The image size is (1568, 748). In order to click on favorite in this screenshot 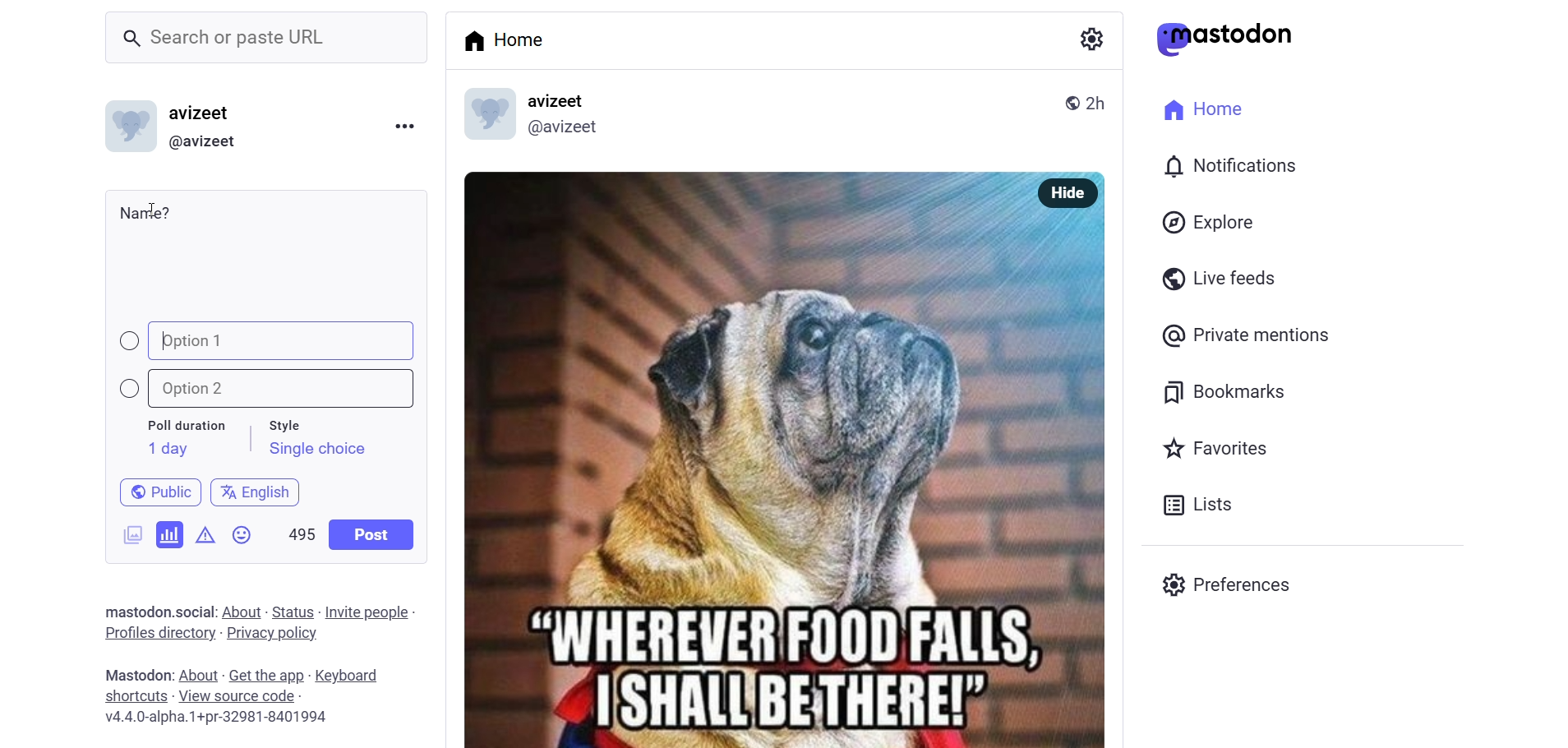, I will do `click(1213, 450)`.